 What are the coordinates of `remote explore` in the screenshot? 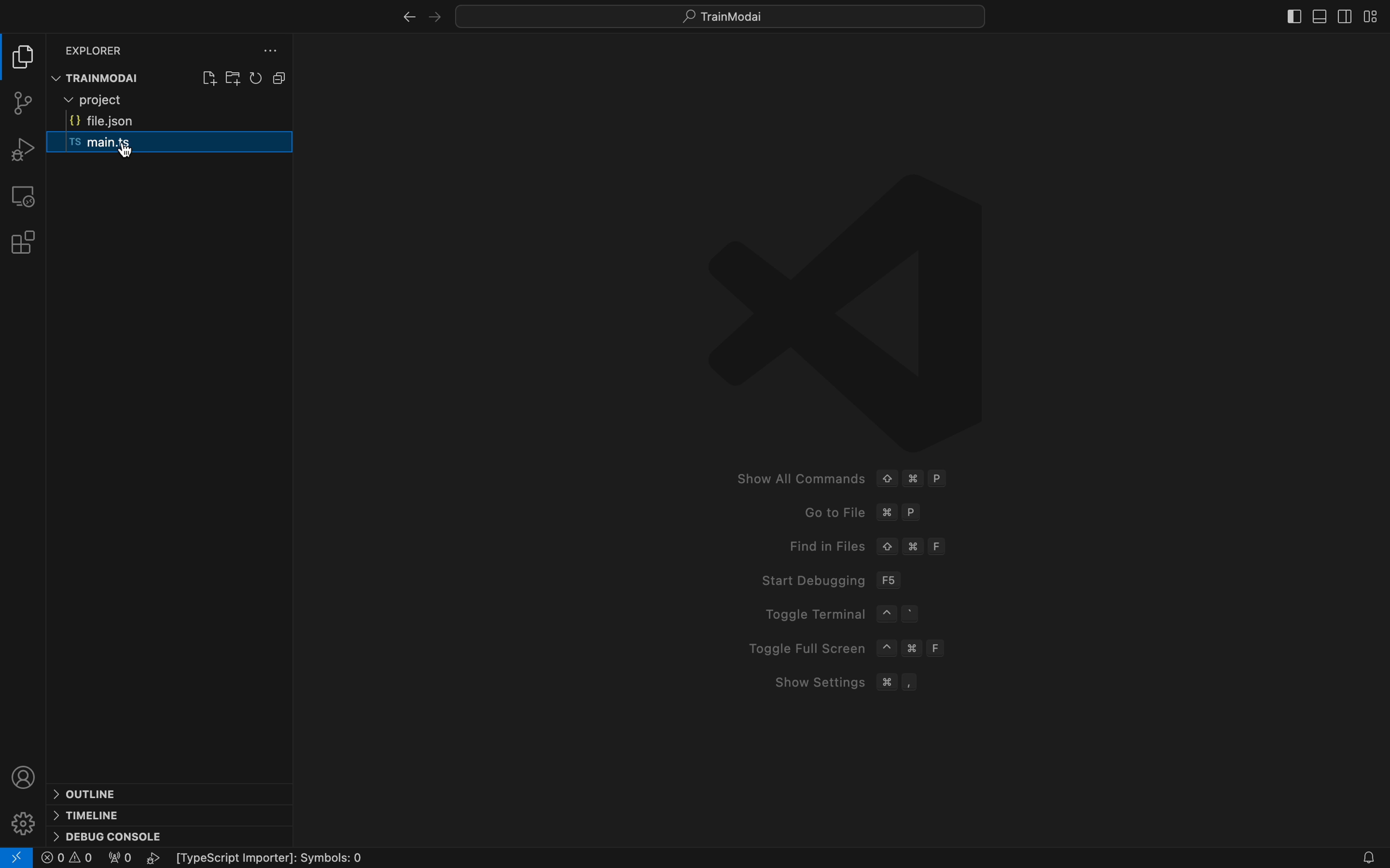 It's located at (24, 195).